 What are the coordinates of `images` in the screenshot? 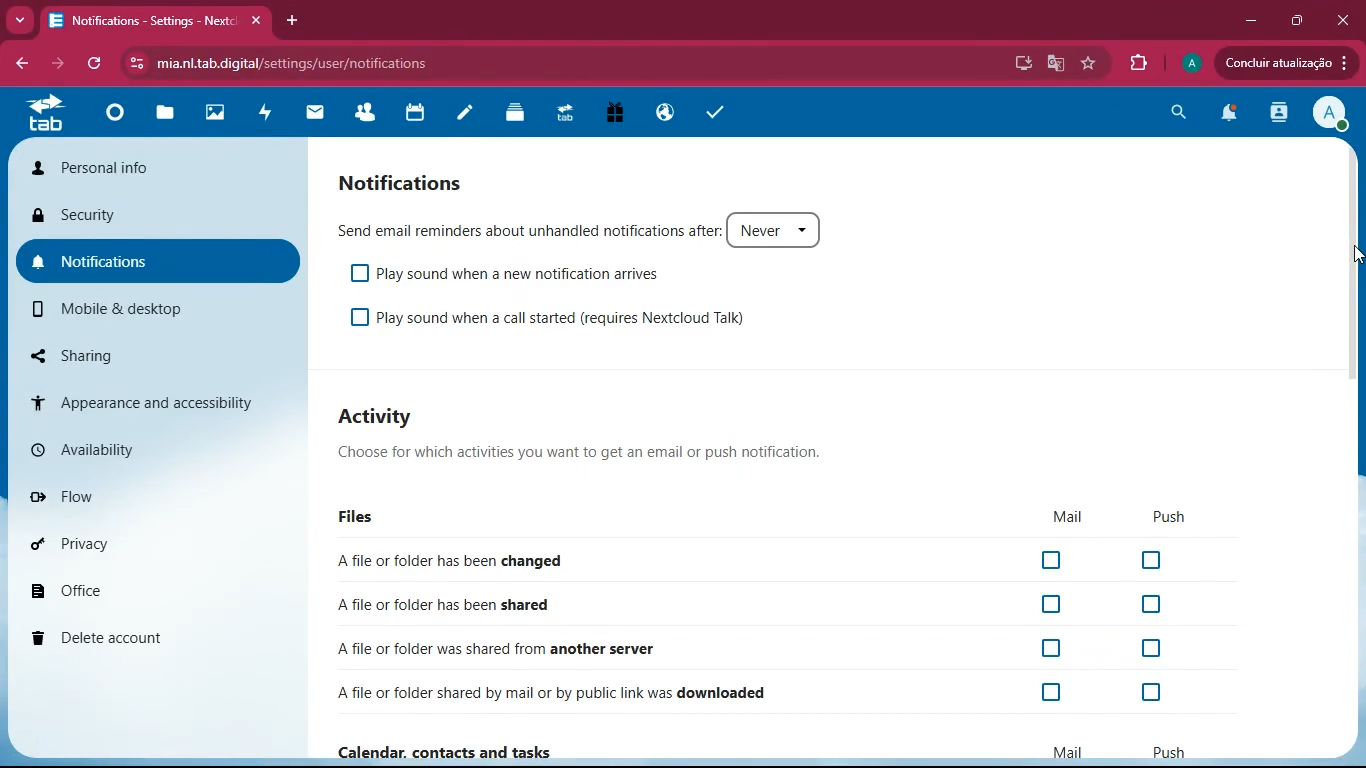 It's located at (222, 115).